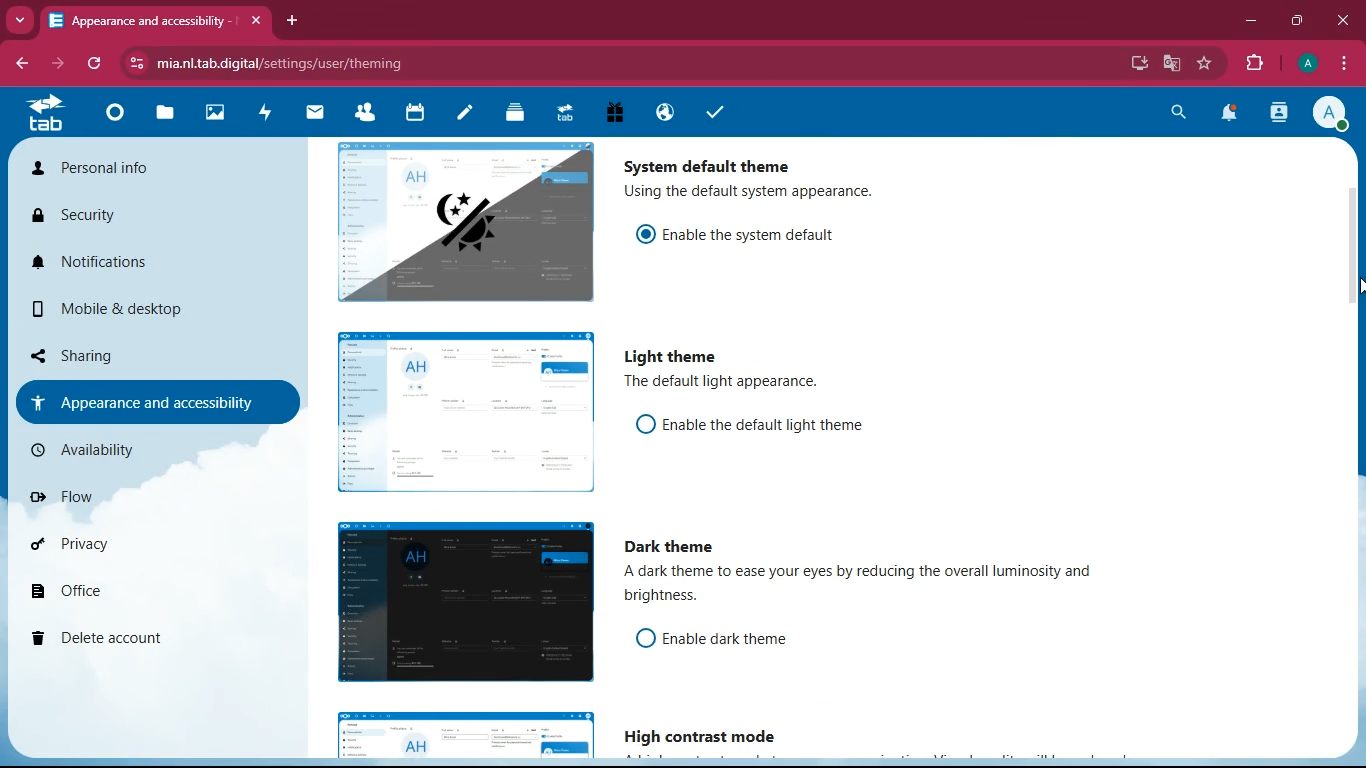 The width and height of the screenshot is (1366, 768). I want to click on dark theme, so click(680, 547).